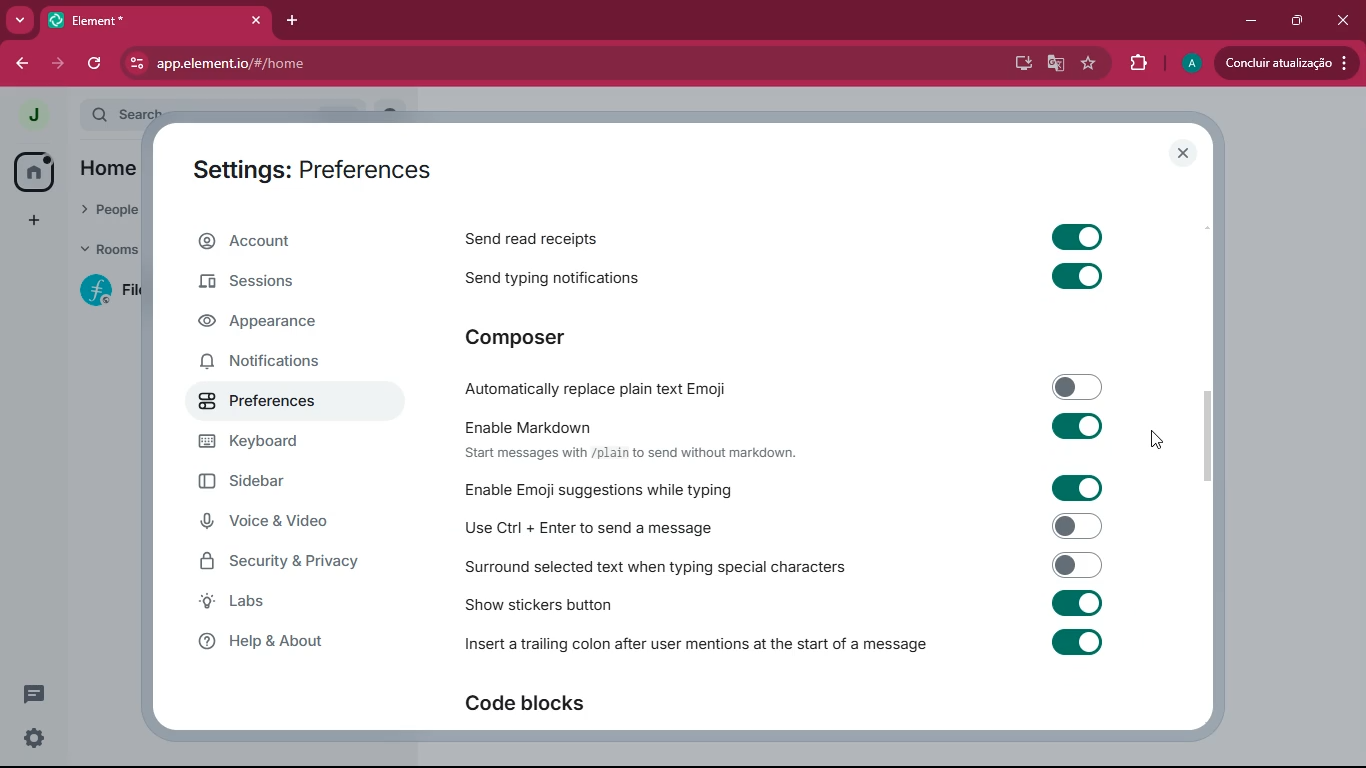 This screenshot has height=768, width=1366. I want to click on sidebar, so click(292, 482).